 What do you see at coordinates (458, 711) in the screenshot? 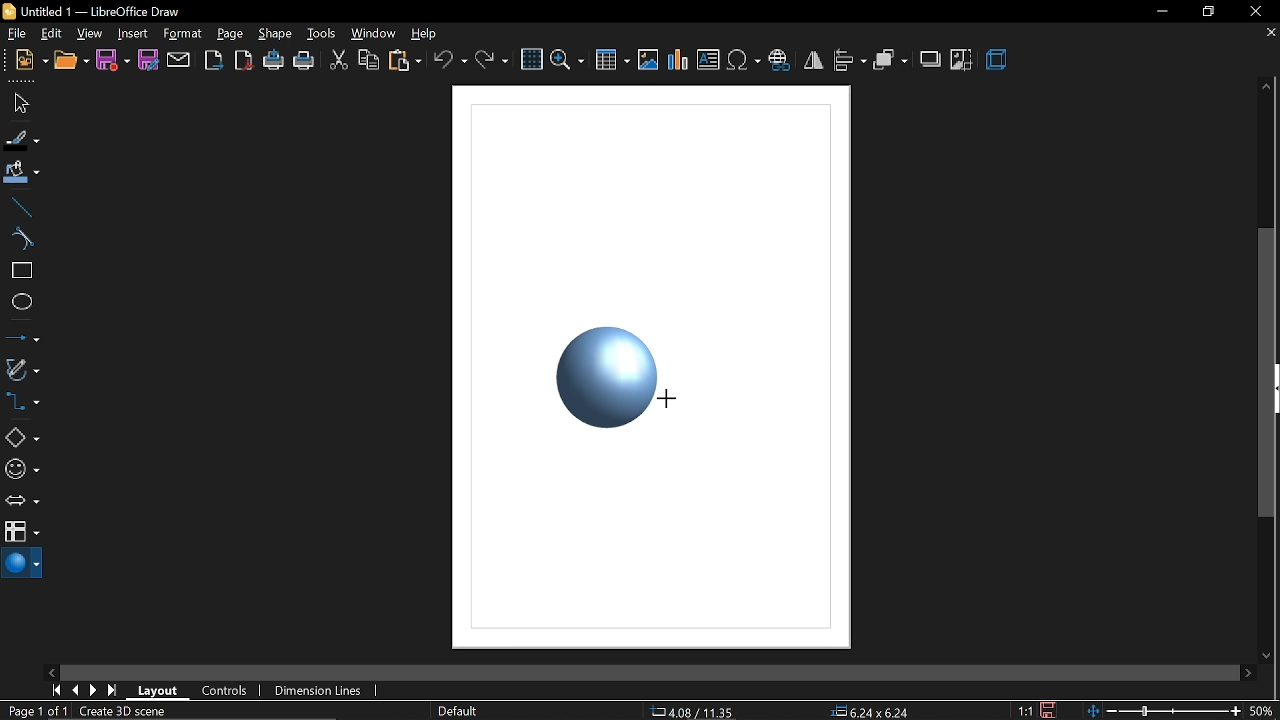
I see `page style` at bounding box center [458, 711].